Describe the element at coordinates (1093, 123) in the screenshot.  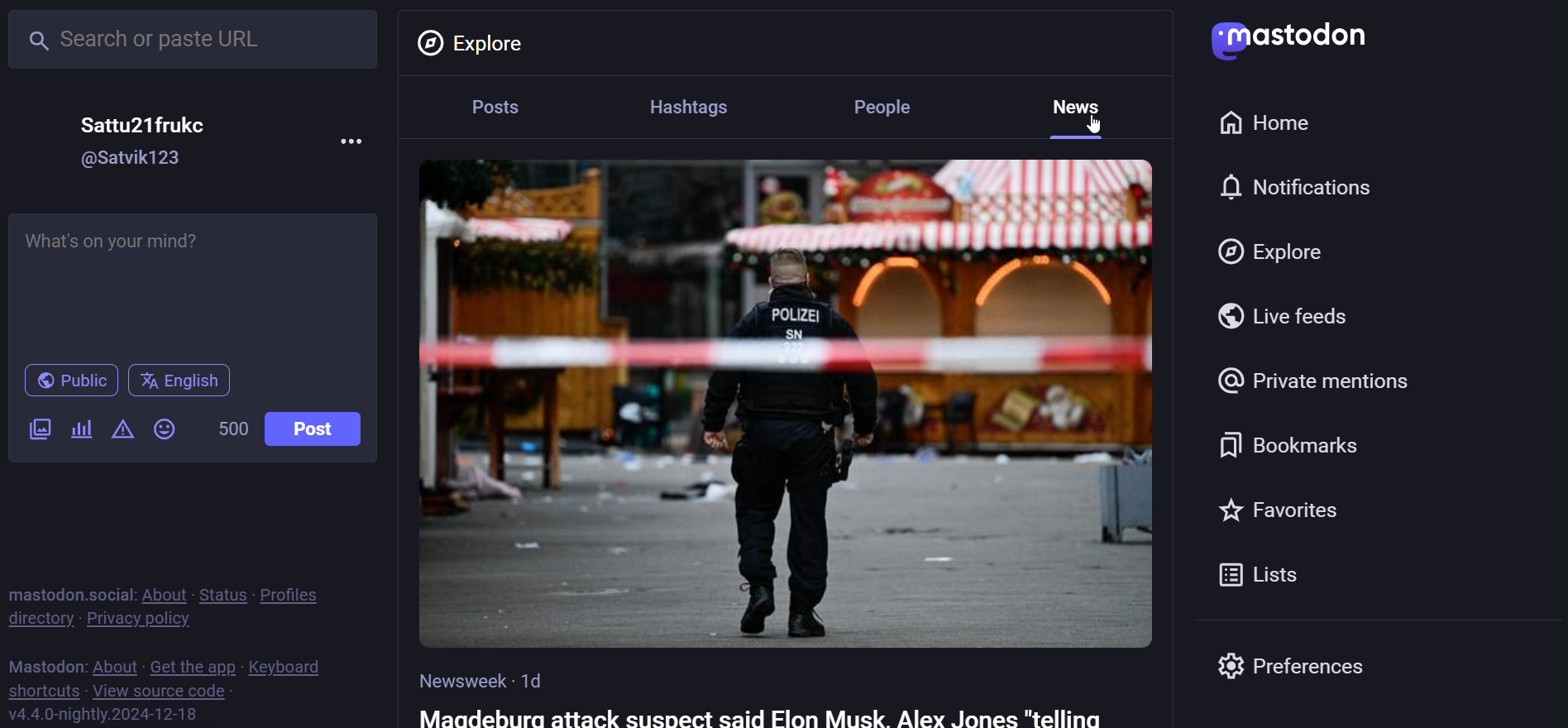
I see `cursor` at that location.